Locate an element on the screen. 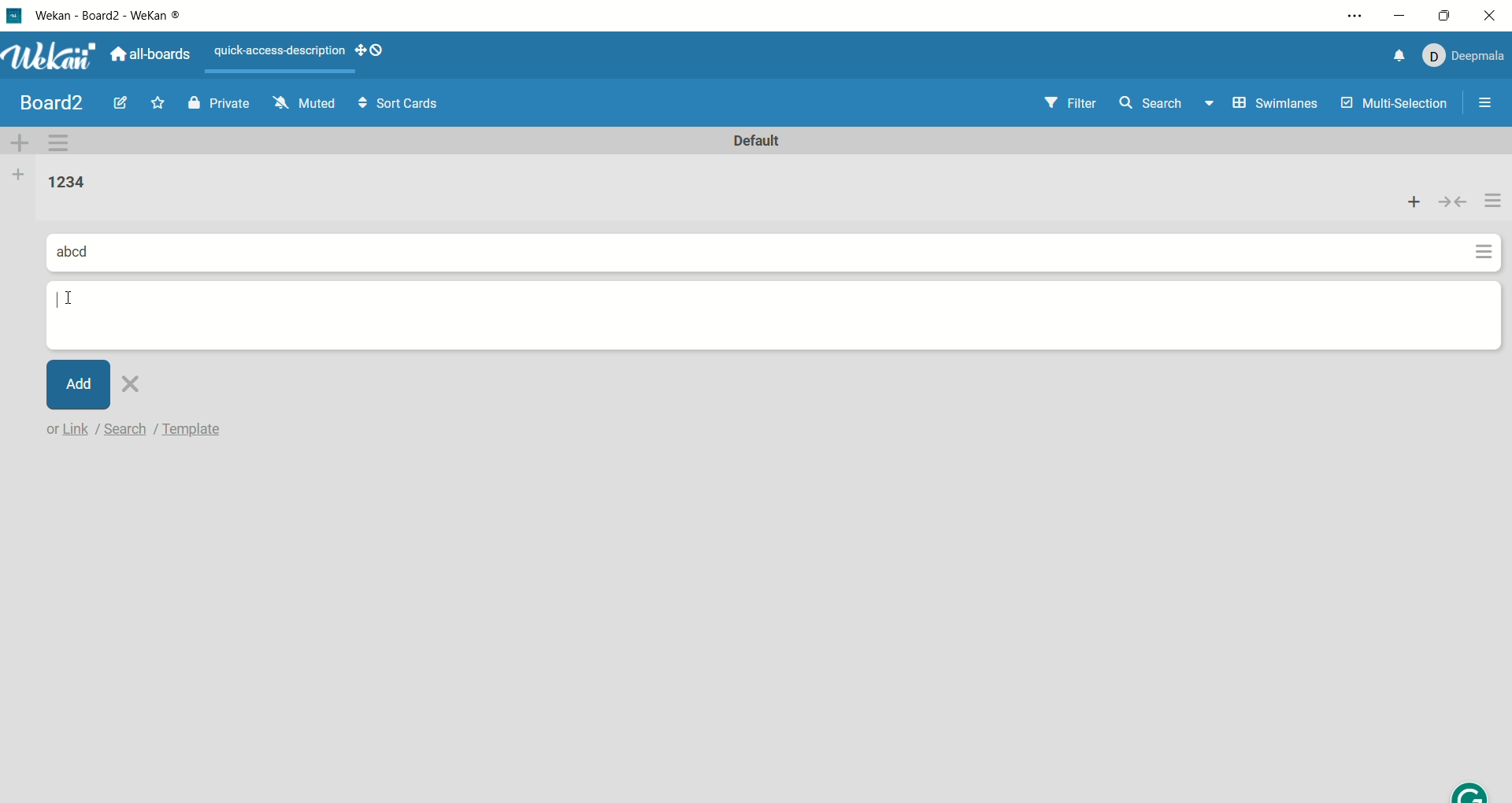 The height and width of the screenshot is (803, 1512). add list is located at coordinates (17, 174).